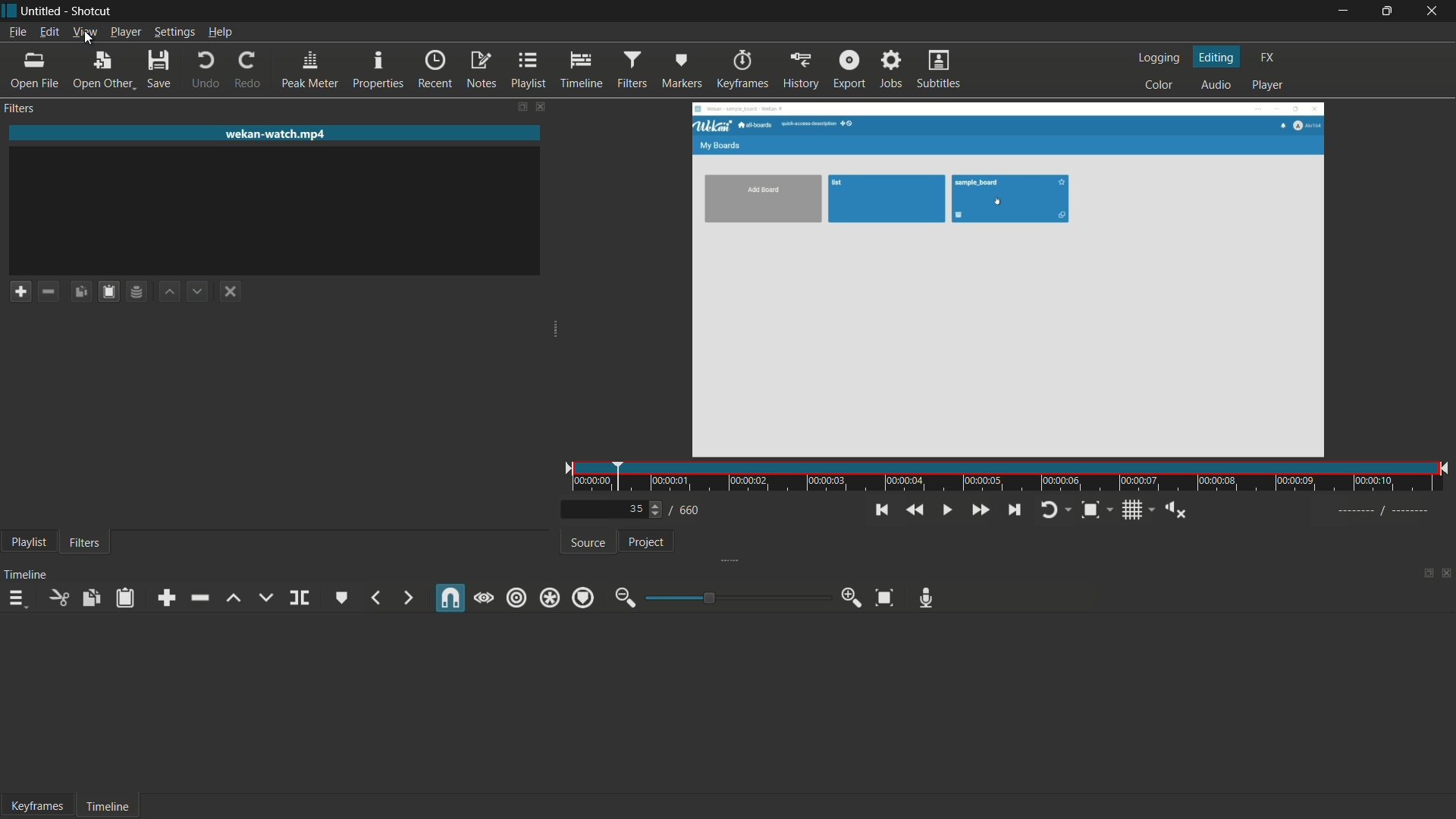 This screenshot has height=819, width=1456. What do you see at coordinates (199, 598) in the screenshot?
I see `ripple delete` at bounding box center [199, 598].